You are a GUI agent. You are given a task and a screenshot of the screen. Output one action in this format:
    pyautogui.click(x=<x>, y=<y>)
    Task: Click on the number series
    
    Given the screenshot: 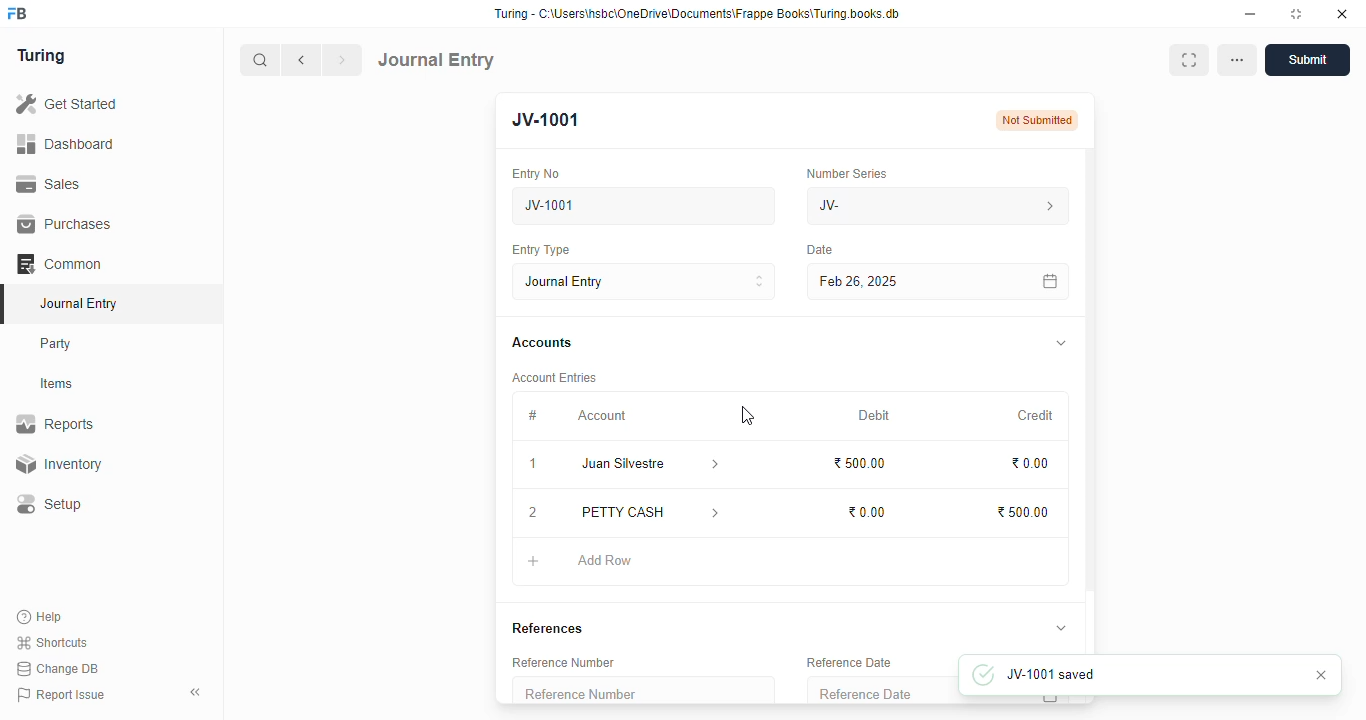 What is the action you would take?
    pyautogui.click(x=846, y=173)
    